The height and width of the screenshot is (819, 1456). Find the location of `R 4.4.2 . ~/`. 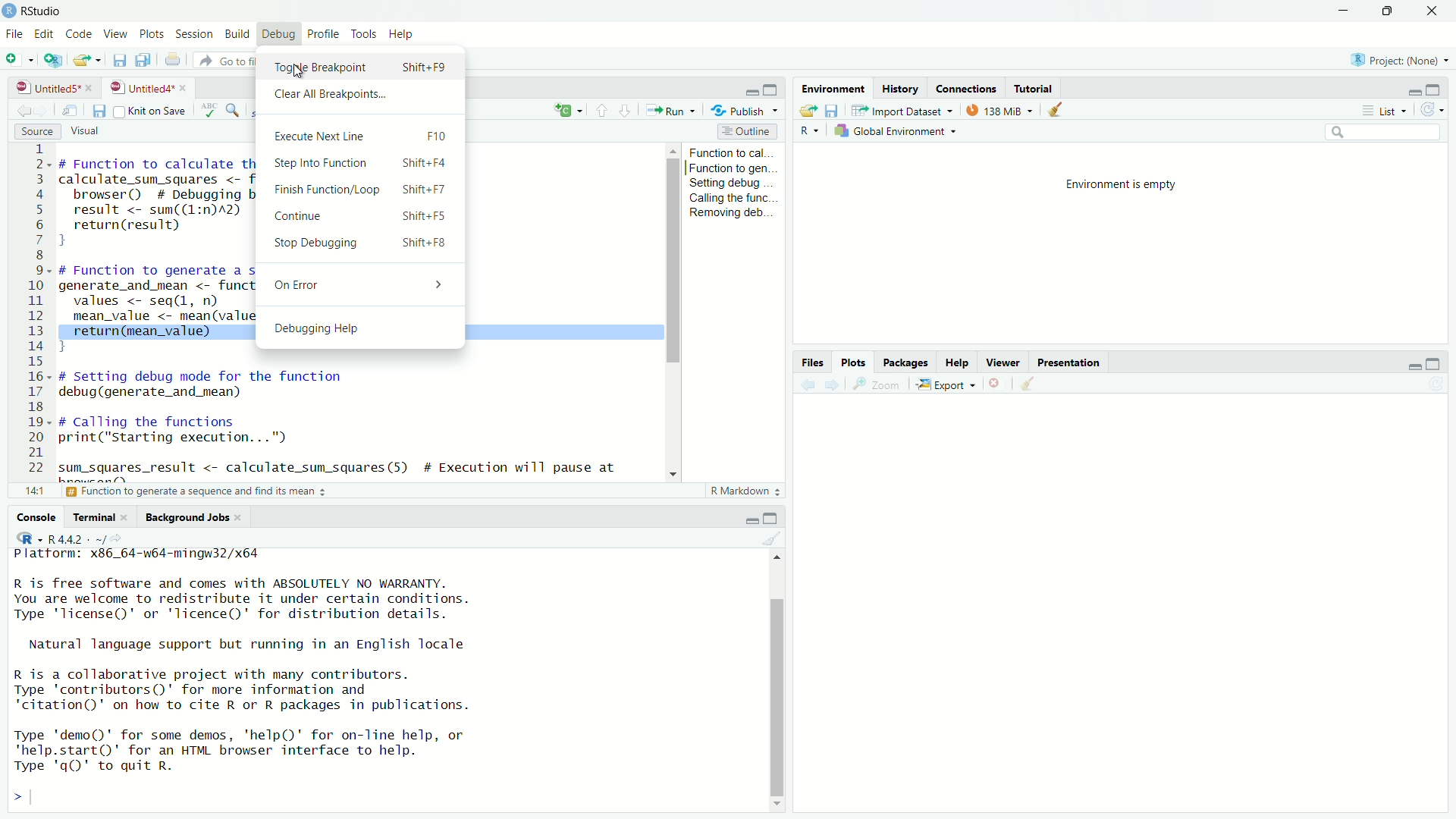

R 4.4.2 . ~/ is located at coordinates (77, 538).